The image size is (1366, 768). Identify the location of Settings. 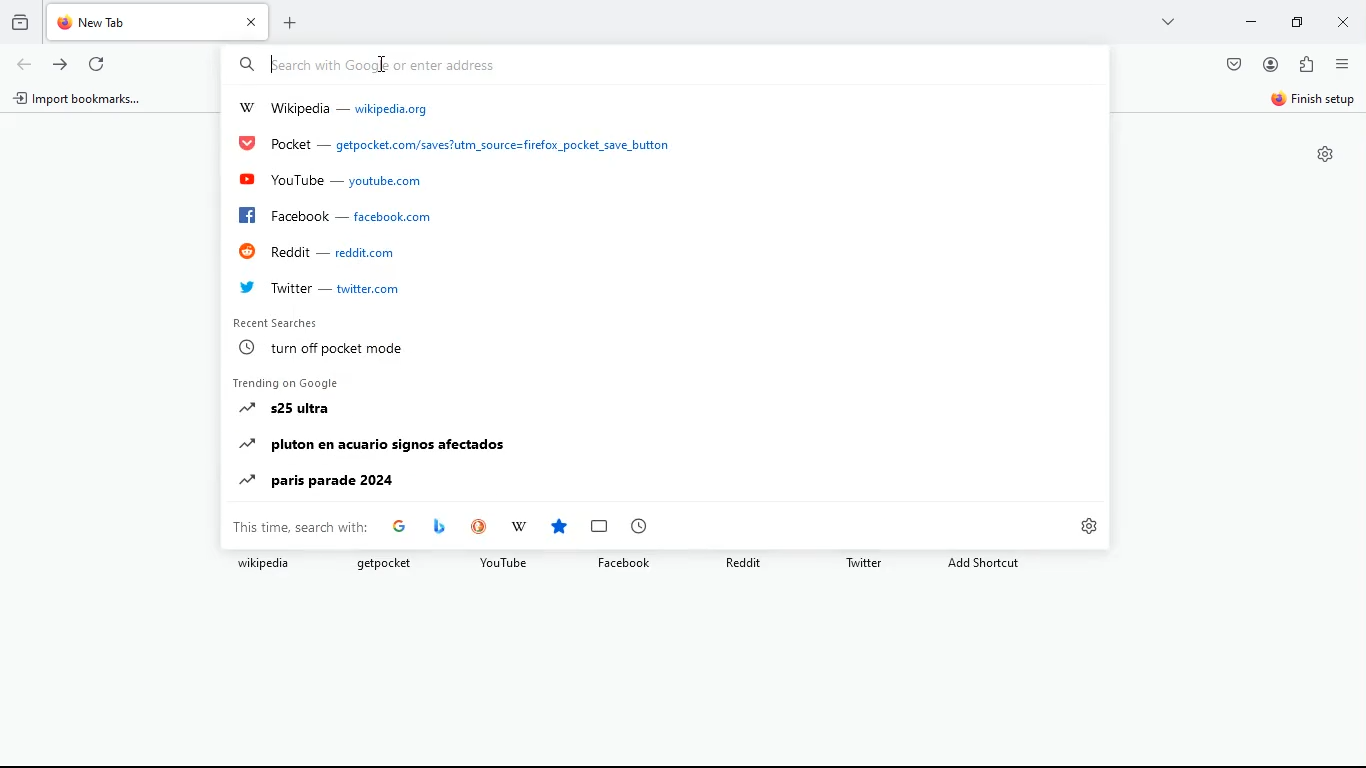
(1088, 527).